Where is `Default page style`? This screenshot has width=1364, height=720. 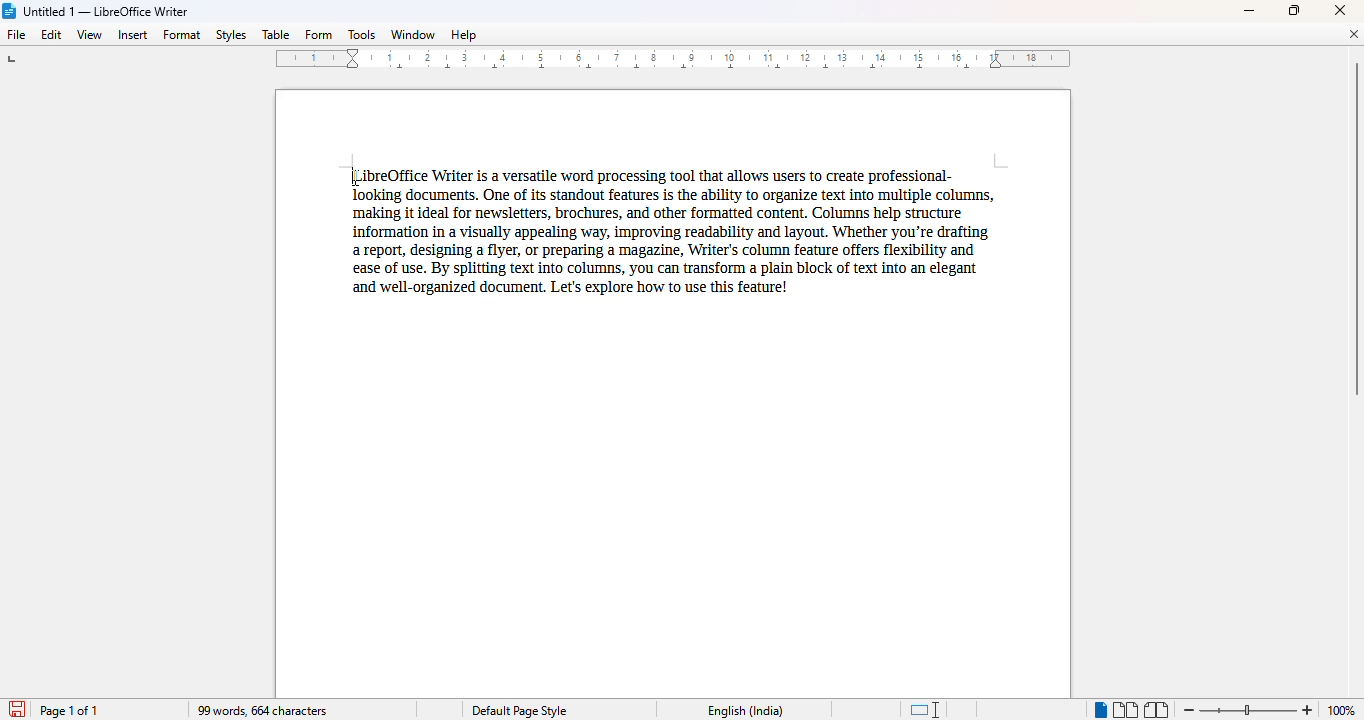
Default page style is located at coordinates (519, 710).